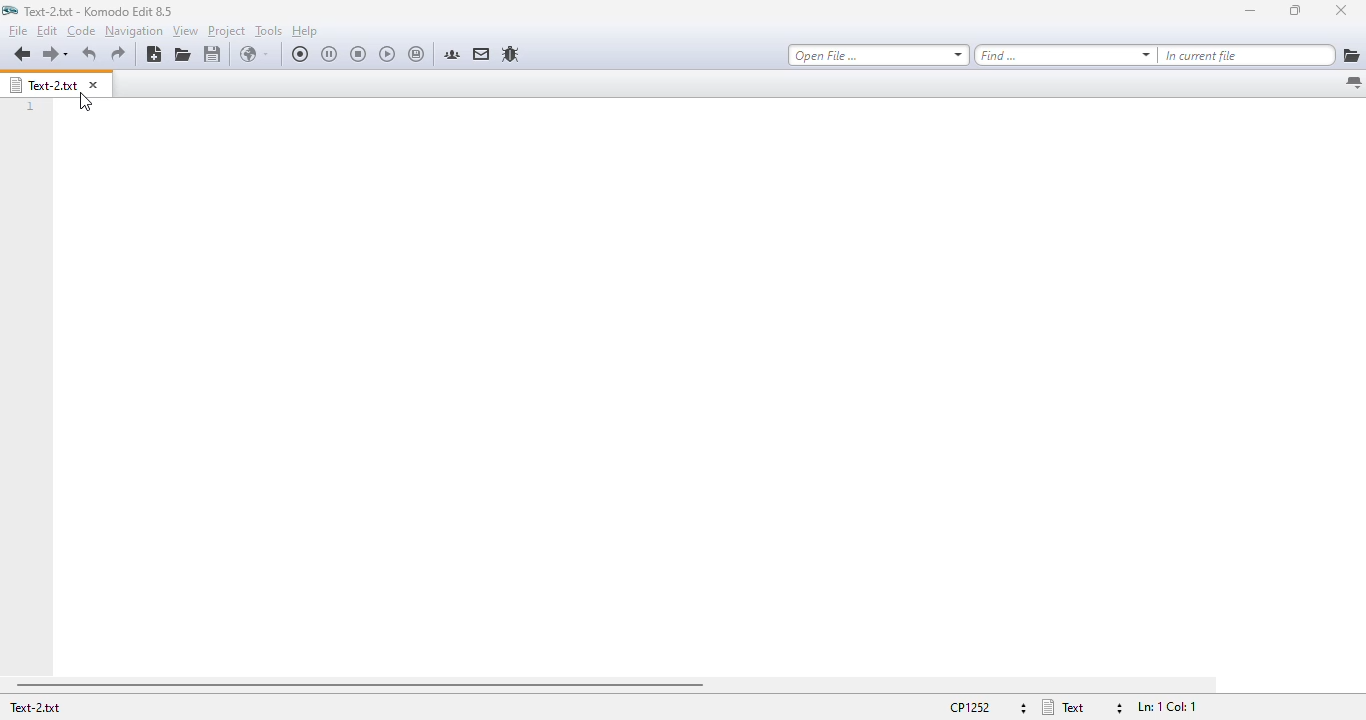  Describe the element at coordinates (1248, 54) in the screenshot. I see `in the current file` at that location.